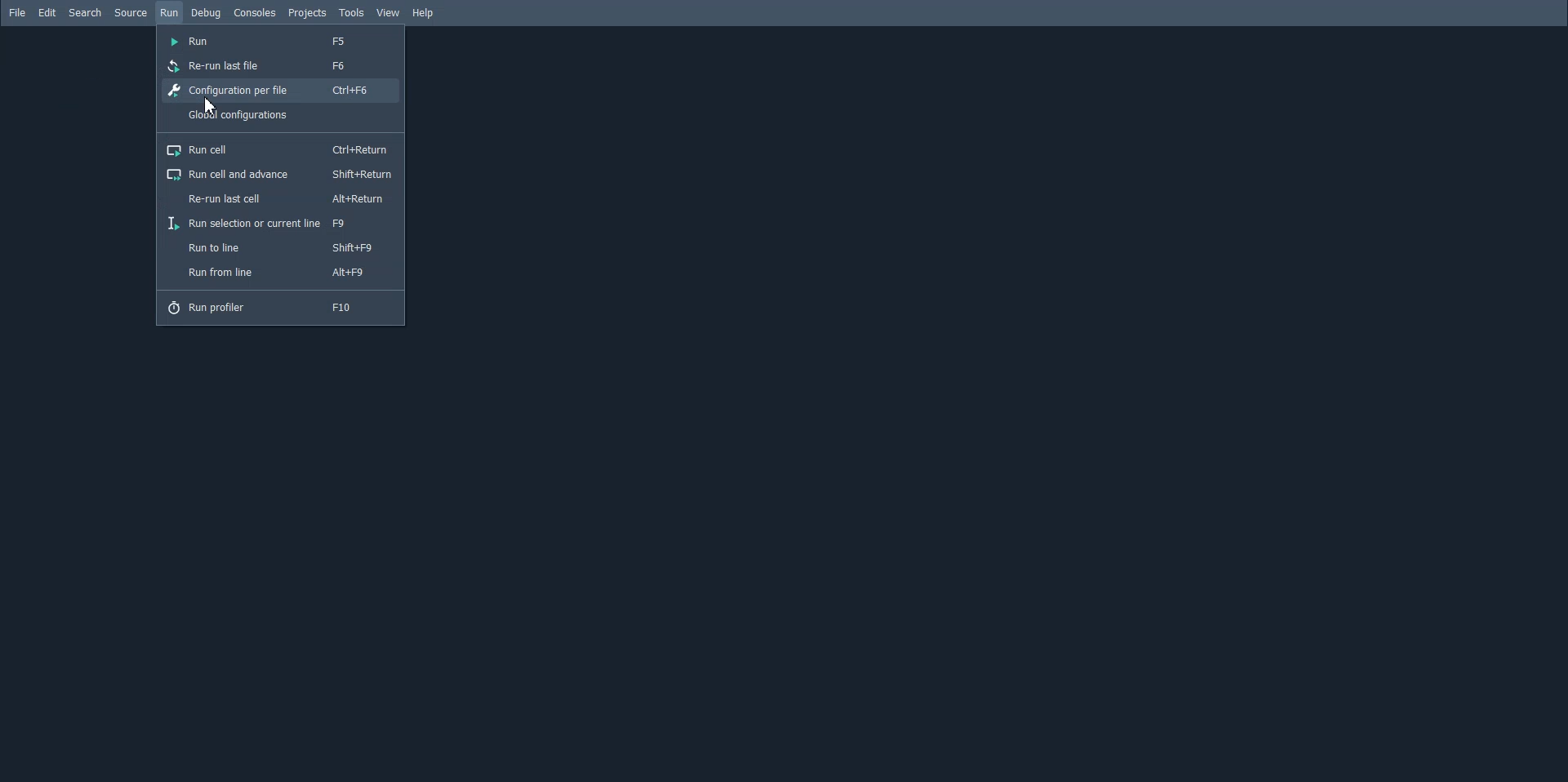 The width and height of the screenshot is (1568, 782). Describe the element at coordinates (85, 12) in the screenshot. I see `Search` at that location.